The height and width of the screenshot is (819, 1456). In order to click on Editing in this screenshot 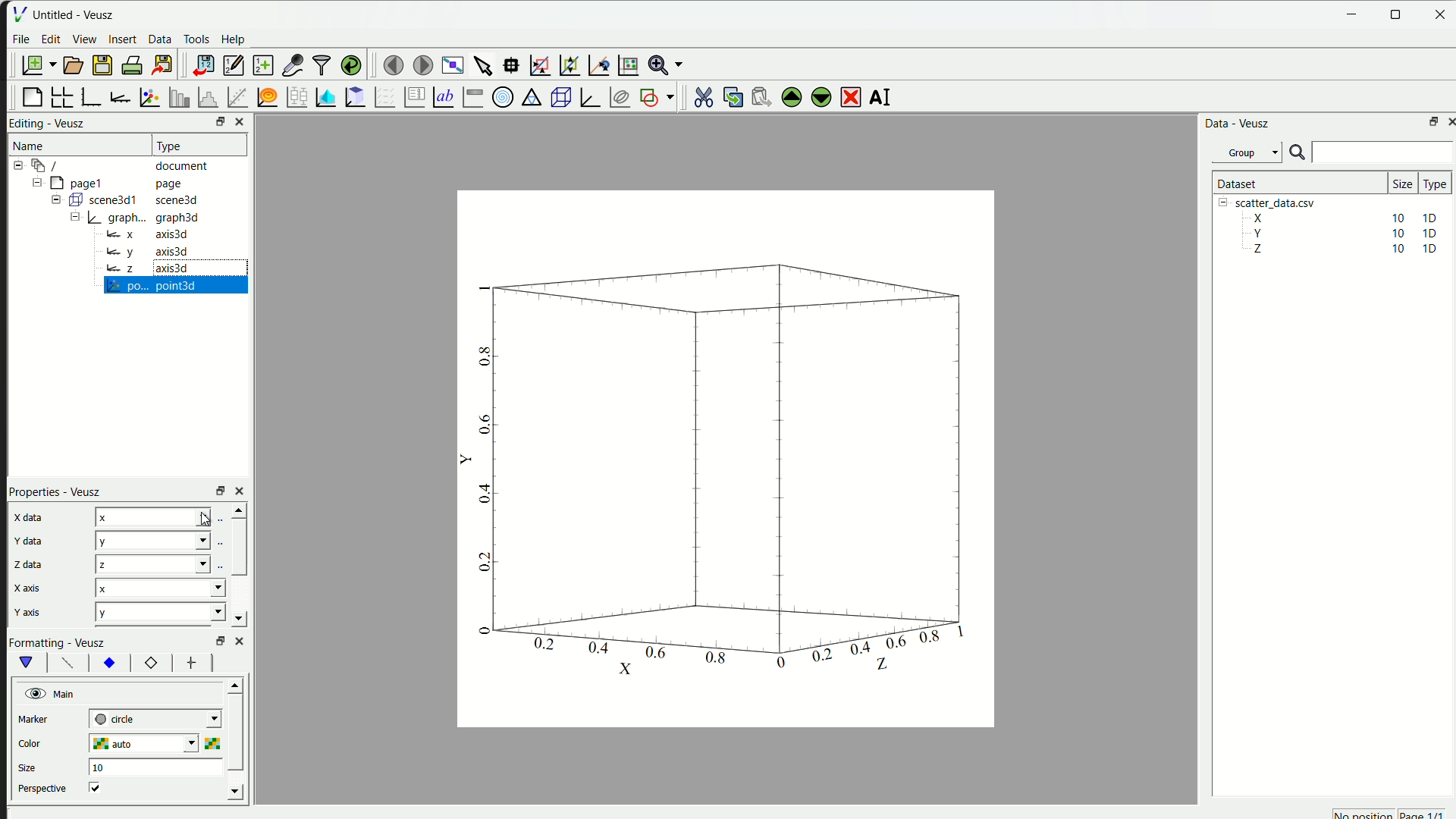, I will do `click(27, 122)`.